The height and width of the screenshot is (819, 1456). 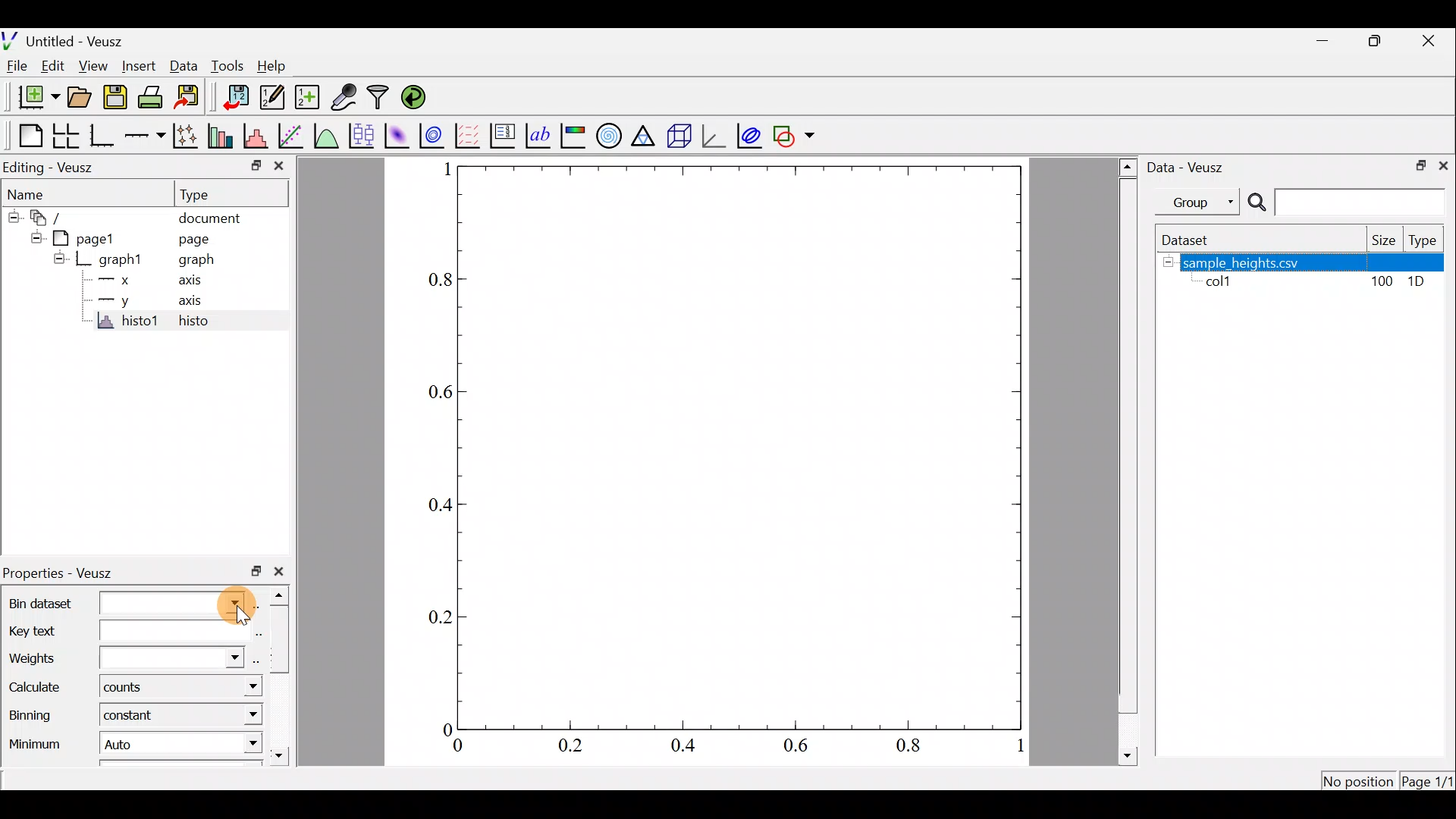 I want to click on Group, so click(x=1201, y=202).